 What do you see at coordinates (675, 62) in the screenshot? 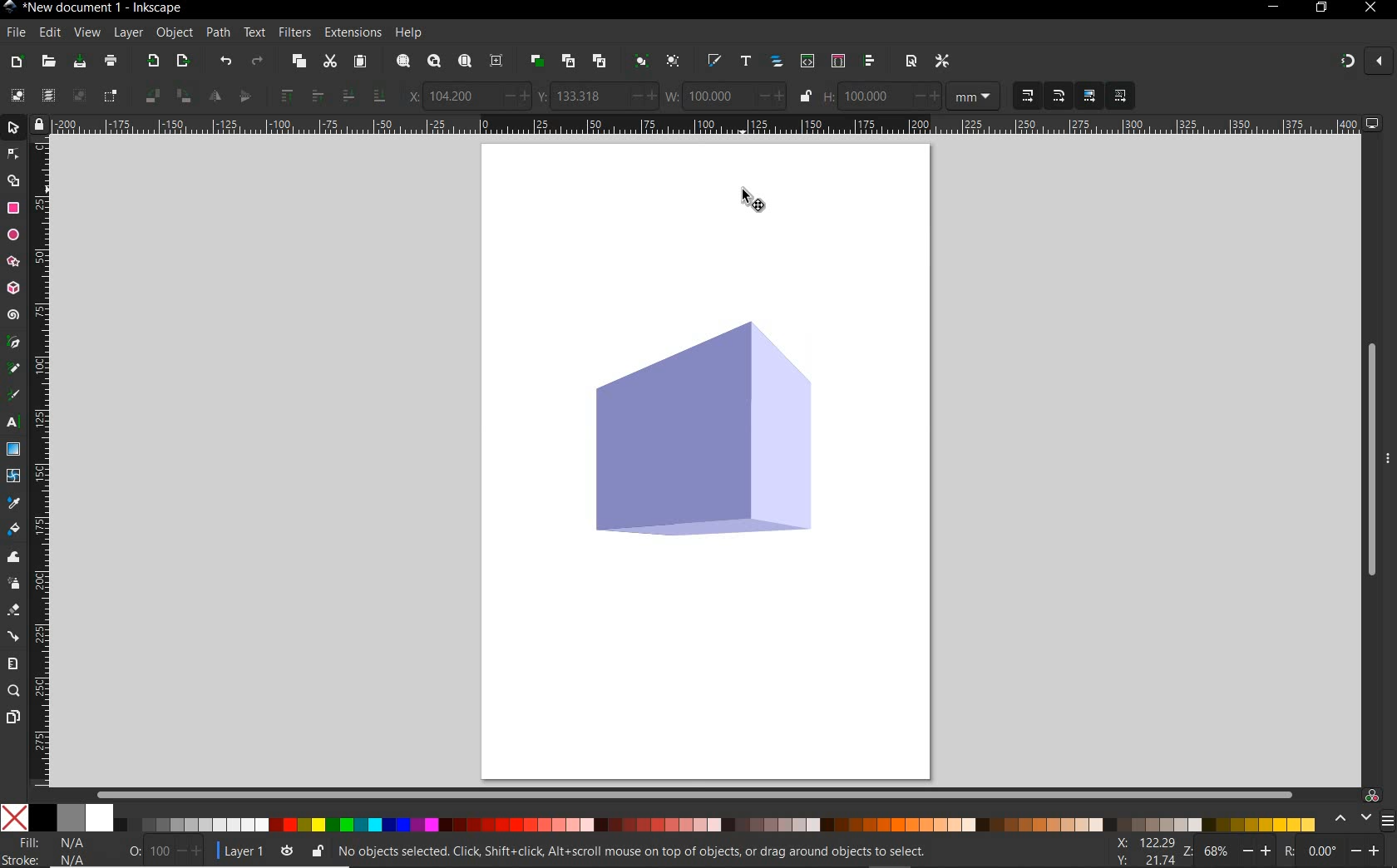
I see `ungroup` at bounding box center [675, 62].